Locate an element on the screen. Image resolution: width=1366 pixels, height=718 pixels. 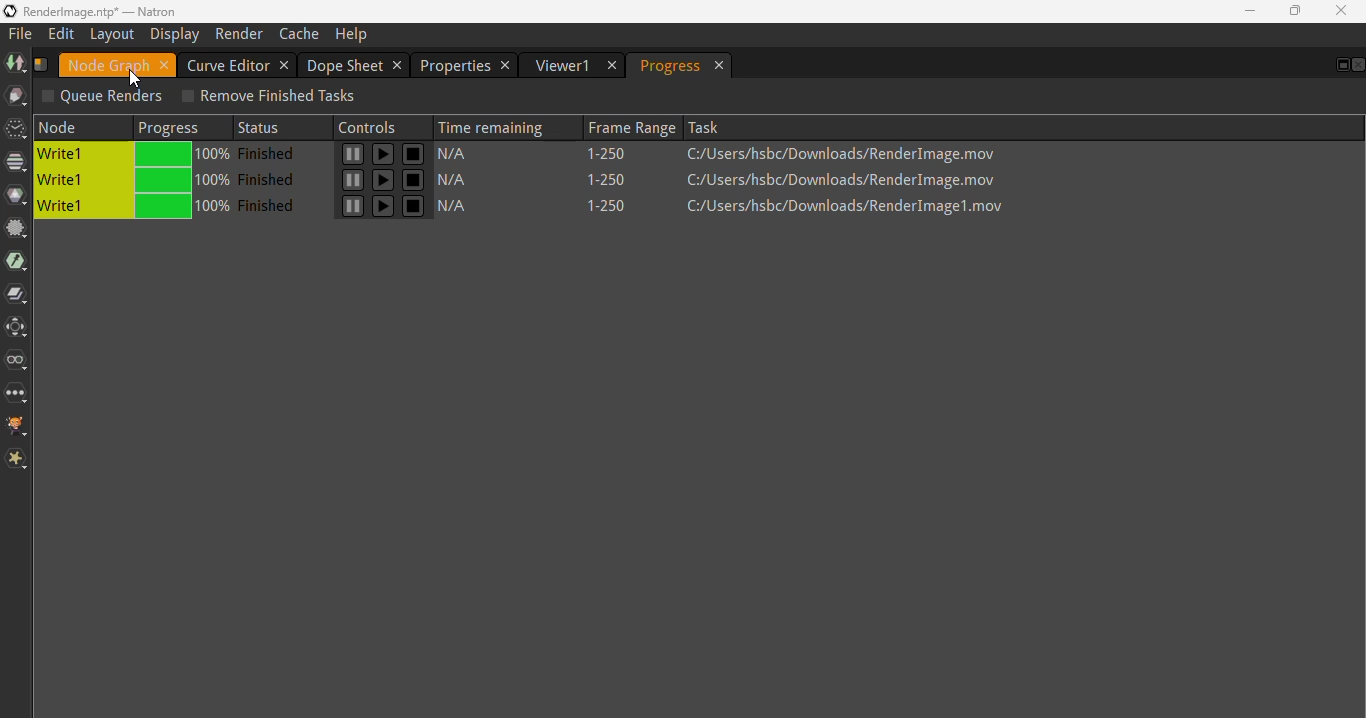
channel is located at coordinates (16, 164).